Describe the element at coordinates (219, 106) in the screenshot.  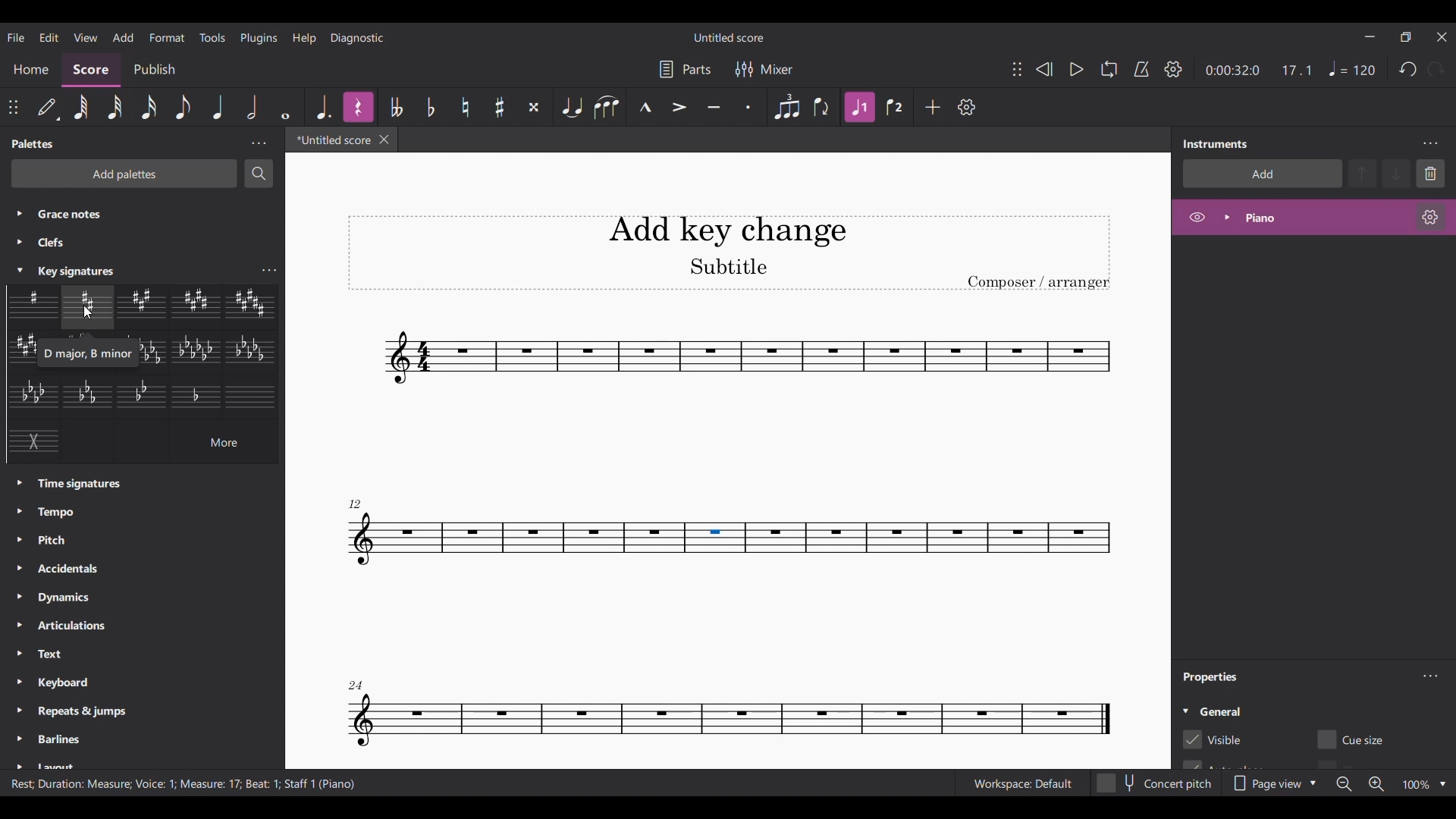
I see `Quarter note` at that location.